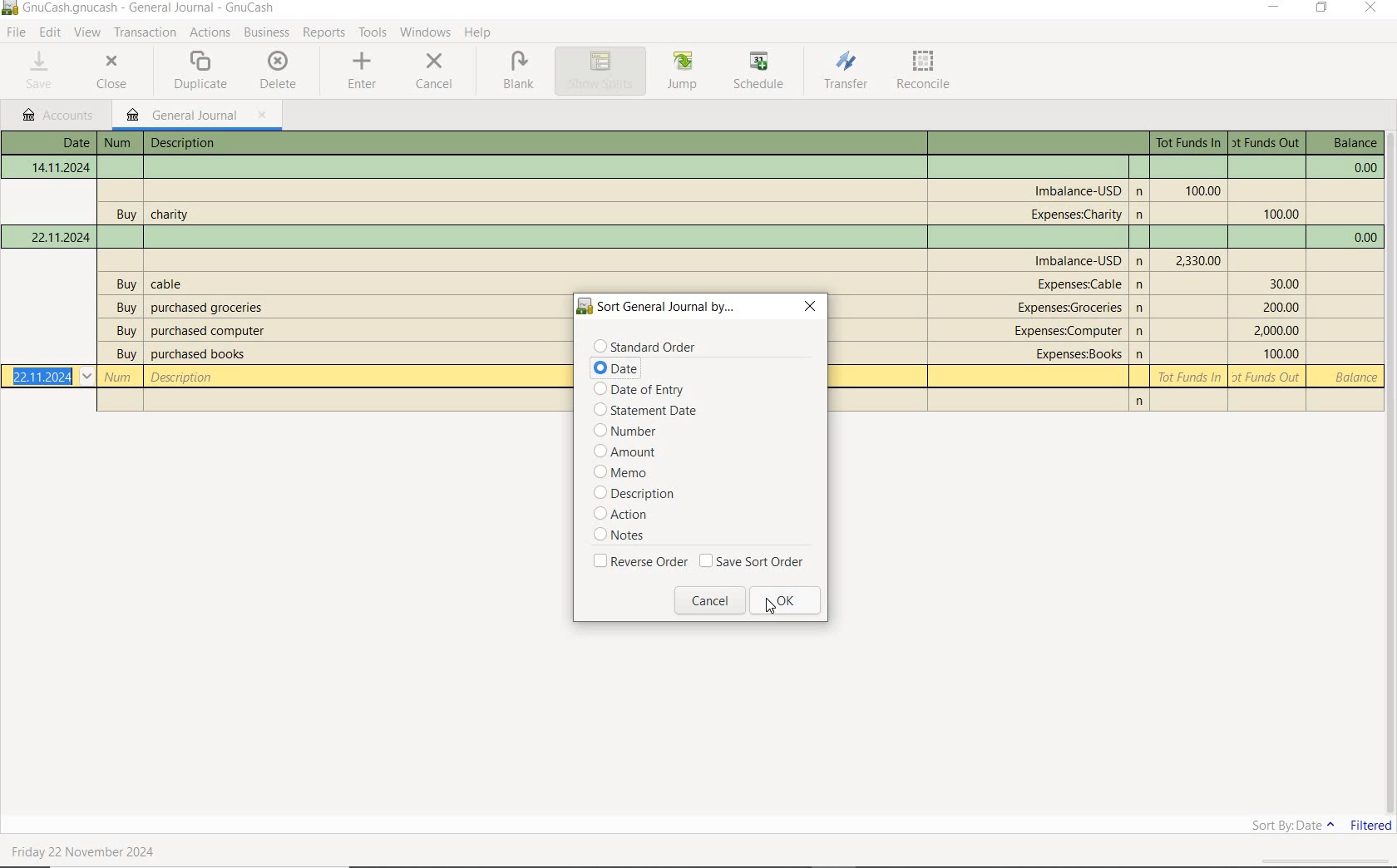 The image size is (1397, 868). Describe the element at coordinates (1141, 190) in the screenshot. I see `n` at that location.